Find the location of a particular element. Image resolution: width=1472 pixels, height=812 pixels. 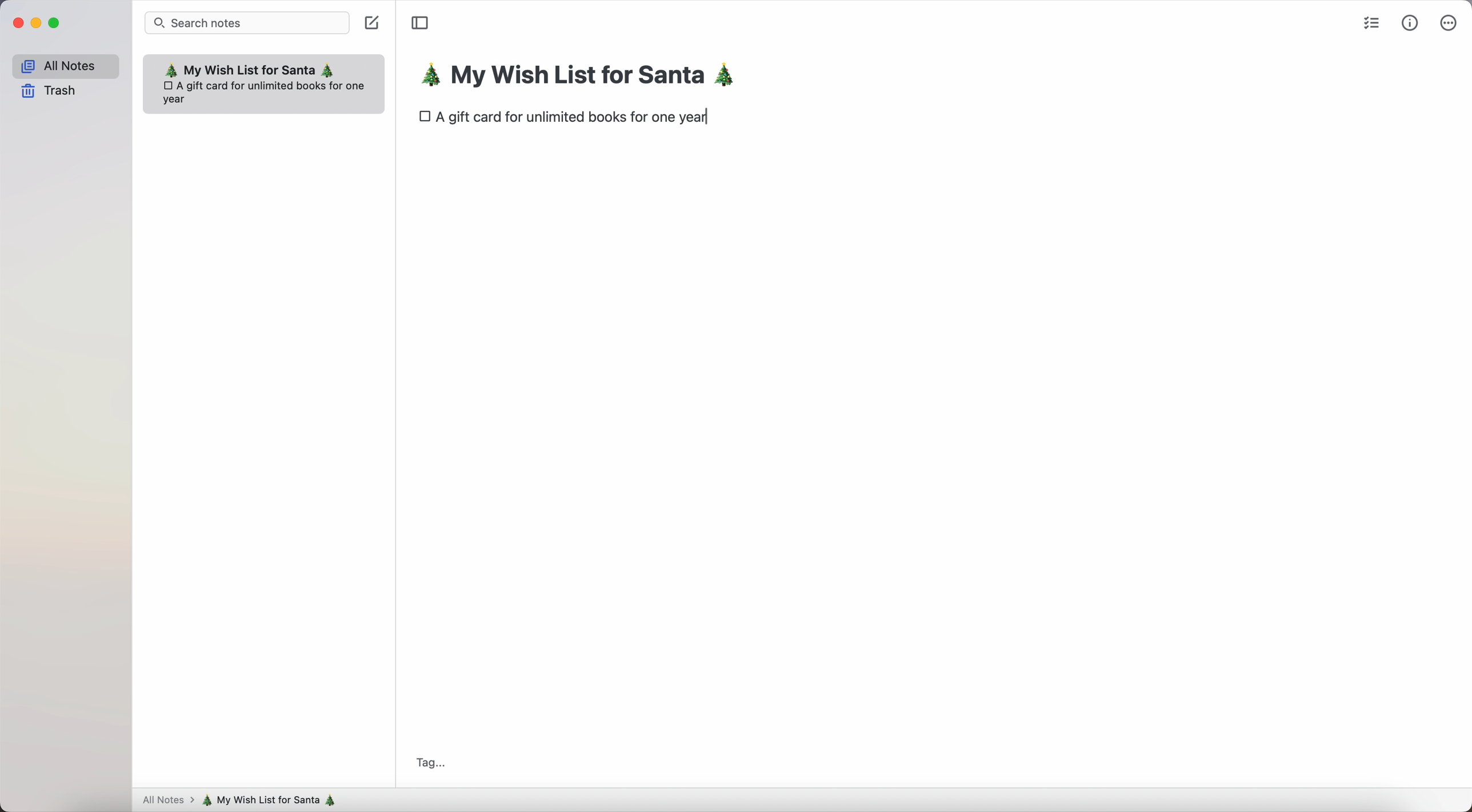

toggle sidebar is located at coordinates (419, 23).